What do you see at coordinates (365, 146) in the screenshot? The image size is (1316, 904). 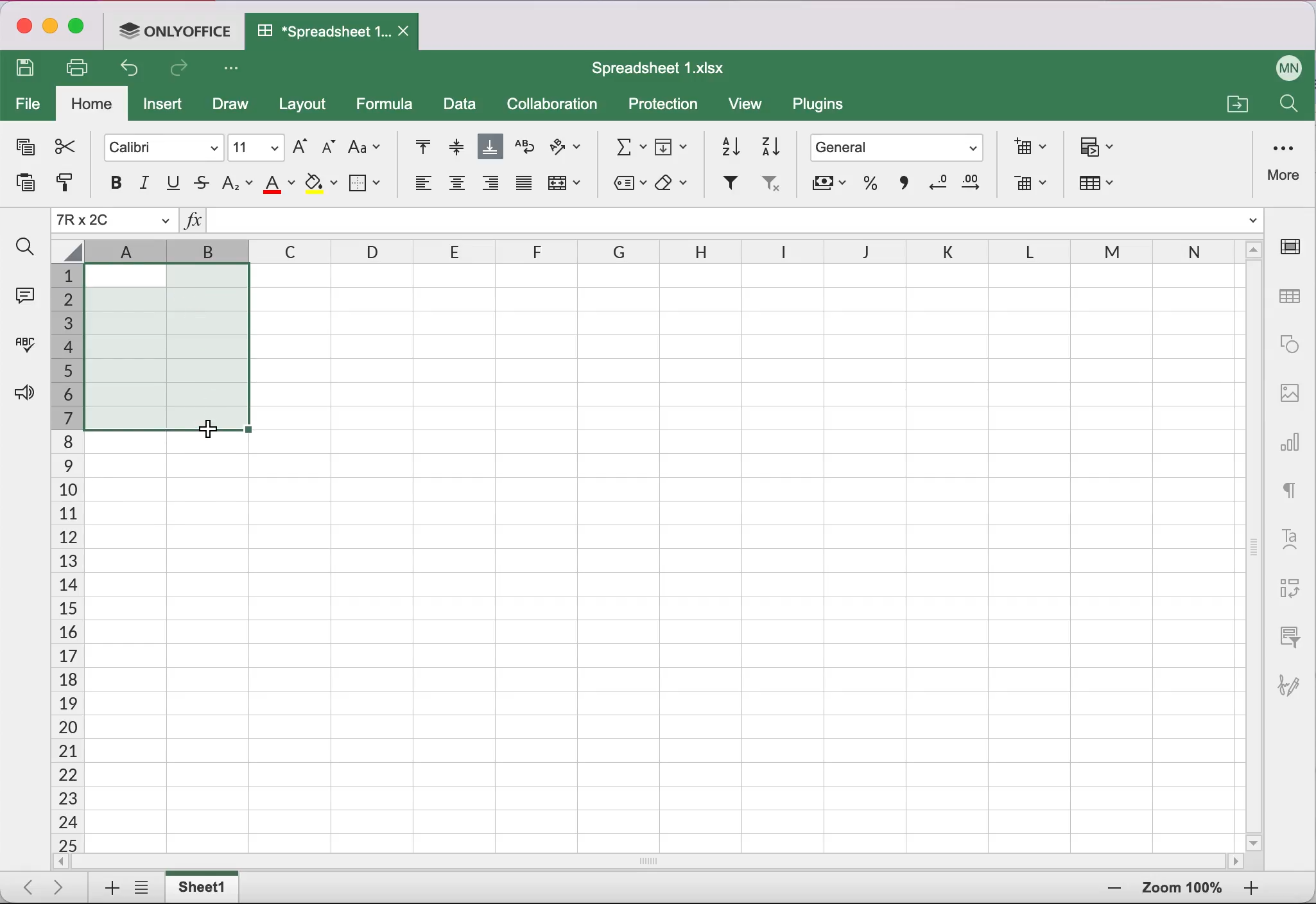 I see `change case` at bounding box center [365, 146].